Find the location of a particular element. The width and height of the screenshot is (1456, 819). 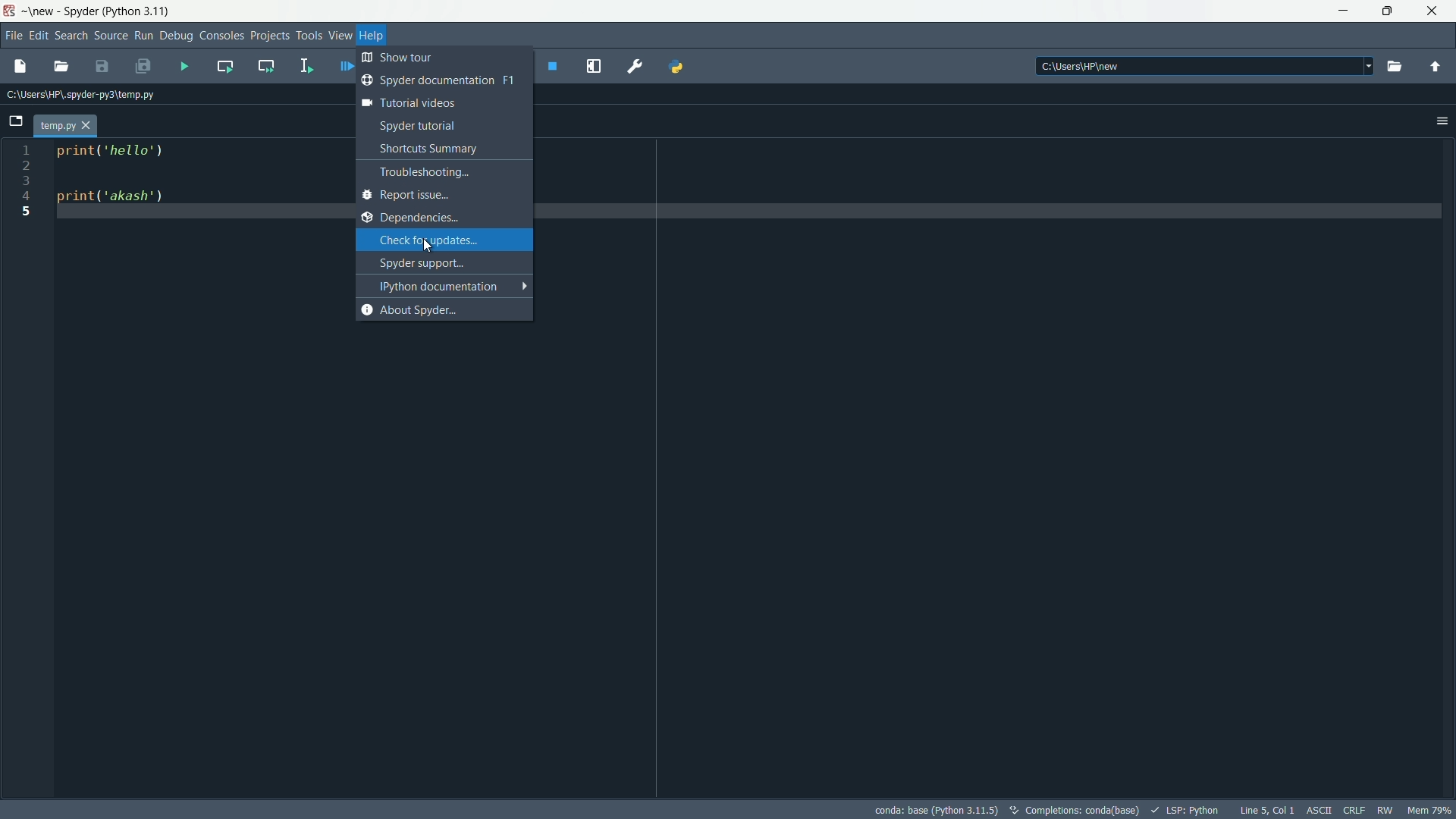

ascii is located at coordinates (1319, 810).